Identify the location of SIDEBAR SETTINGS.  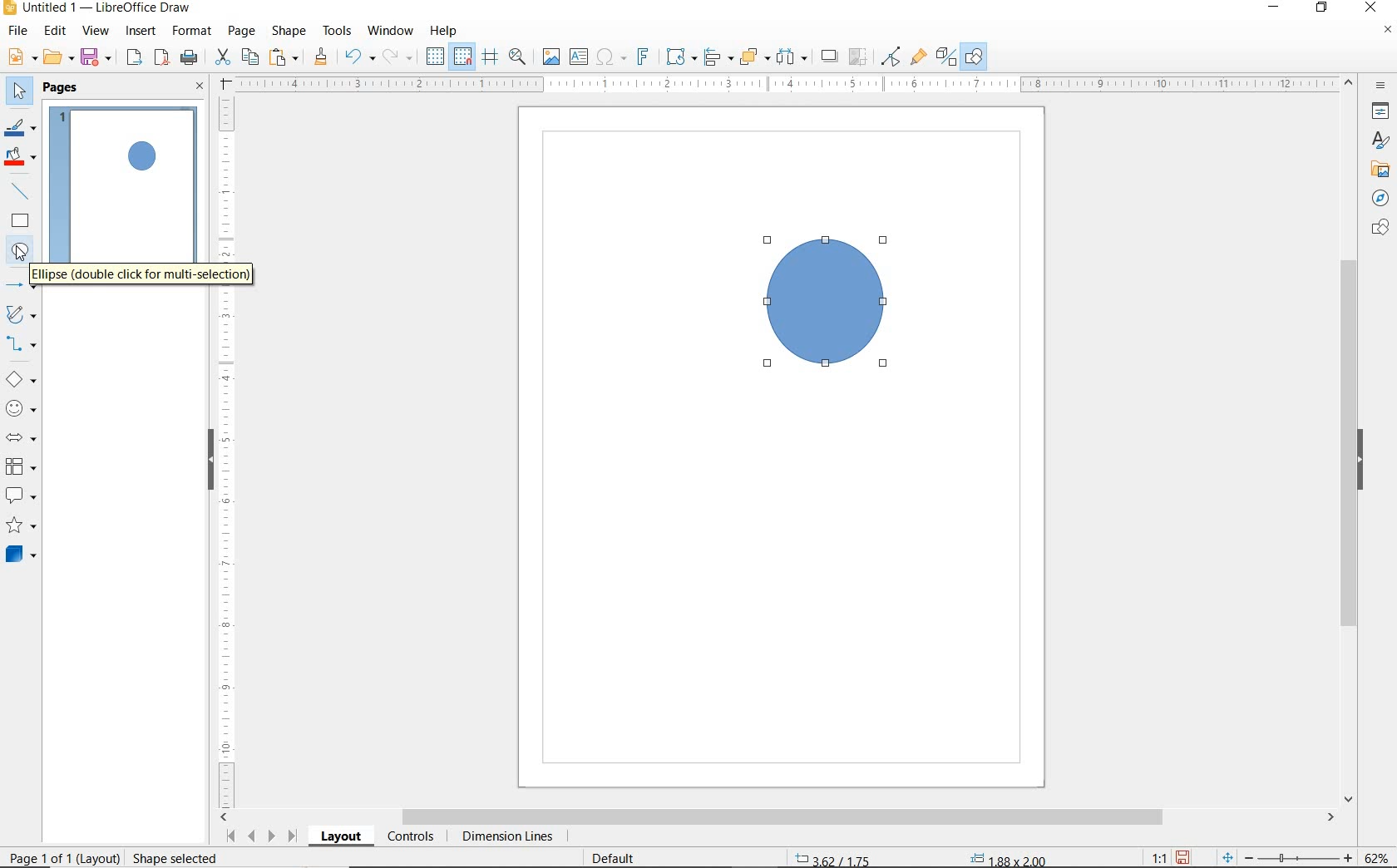
(1381, 86).